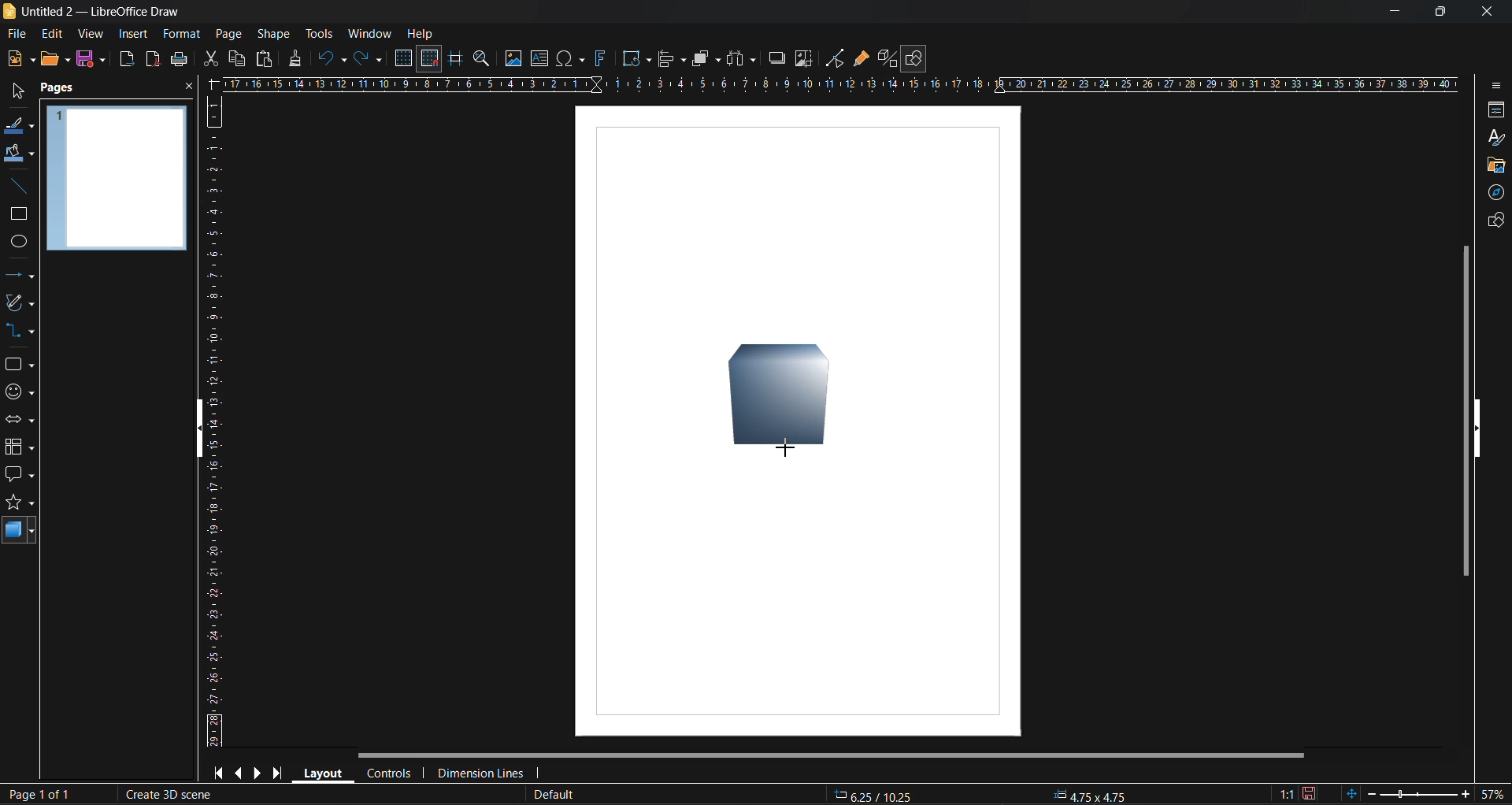 This screenshot has height=805, width=1512. What do you see at coordinates (1466, 410) in the screenshot?
I see `vertical scroll bar` at bounding box center [1466, 410].